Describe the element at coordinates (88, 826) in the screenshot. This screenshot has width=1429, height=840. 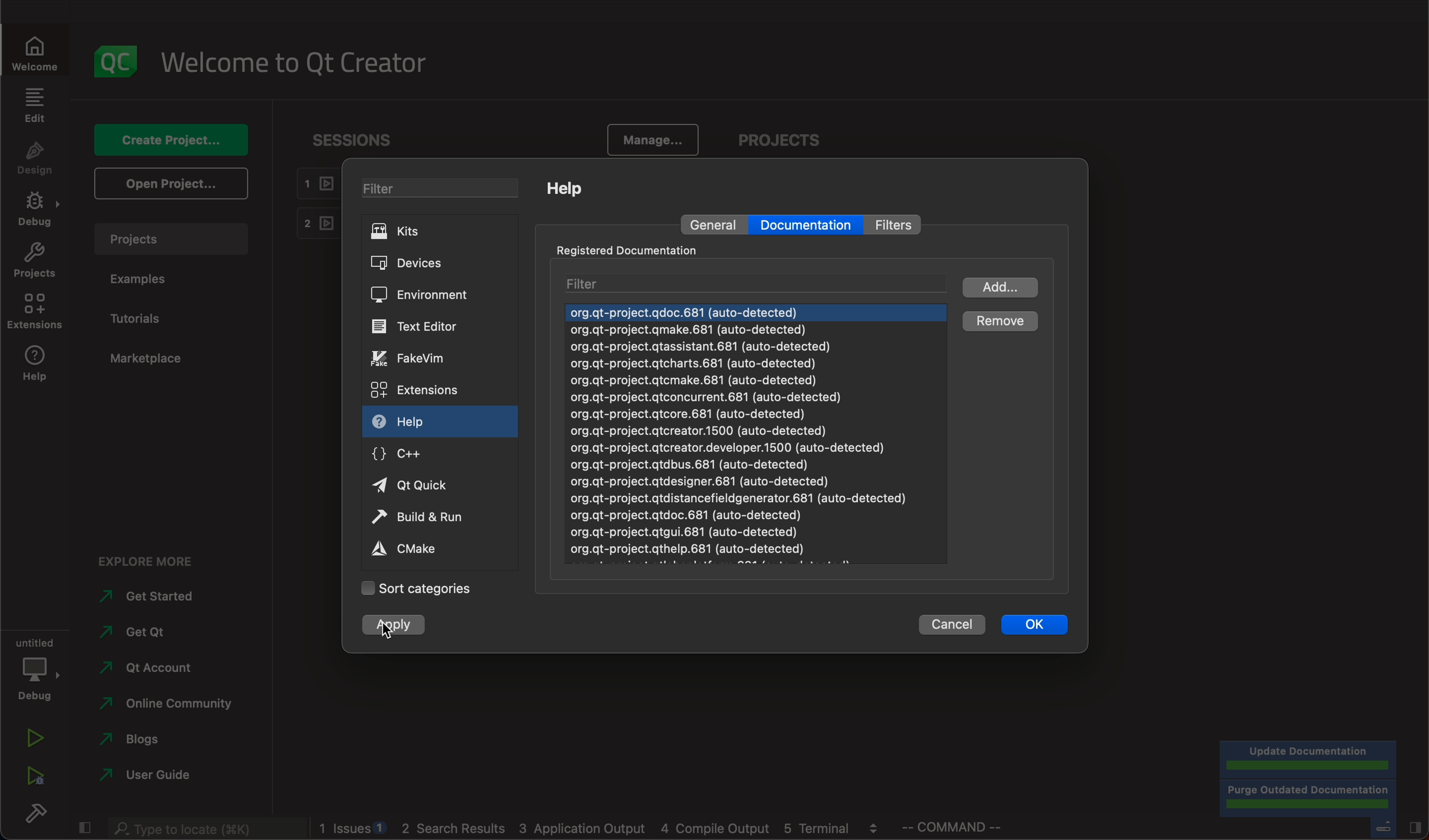
I see `close slide bar` at that location.